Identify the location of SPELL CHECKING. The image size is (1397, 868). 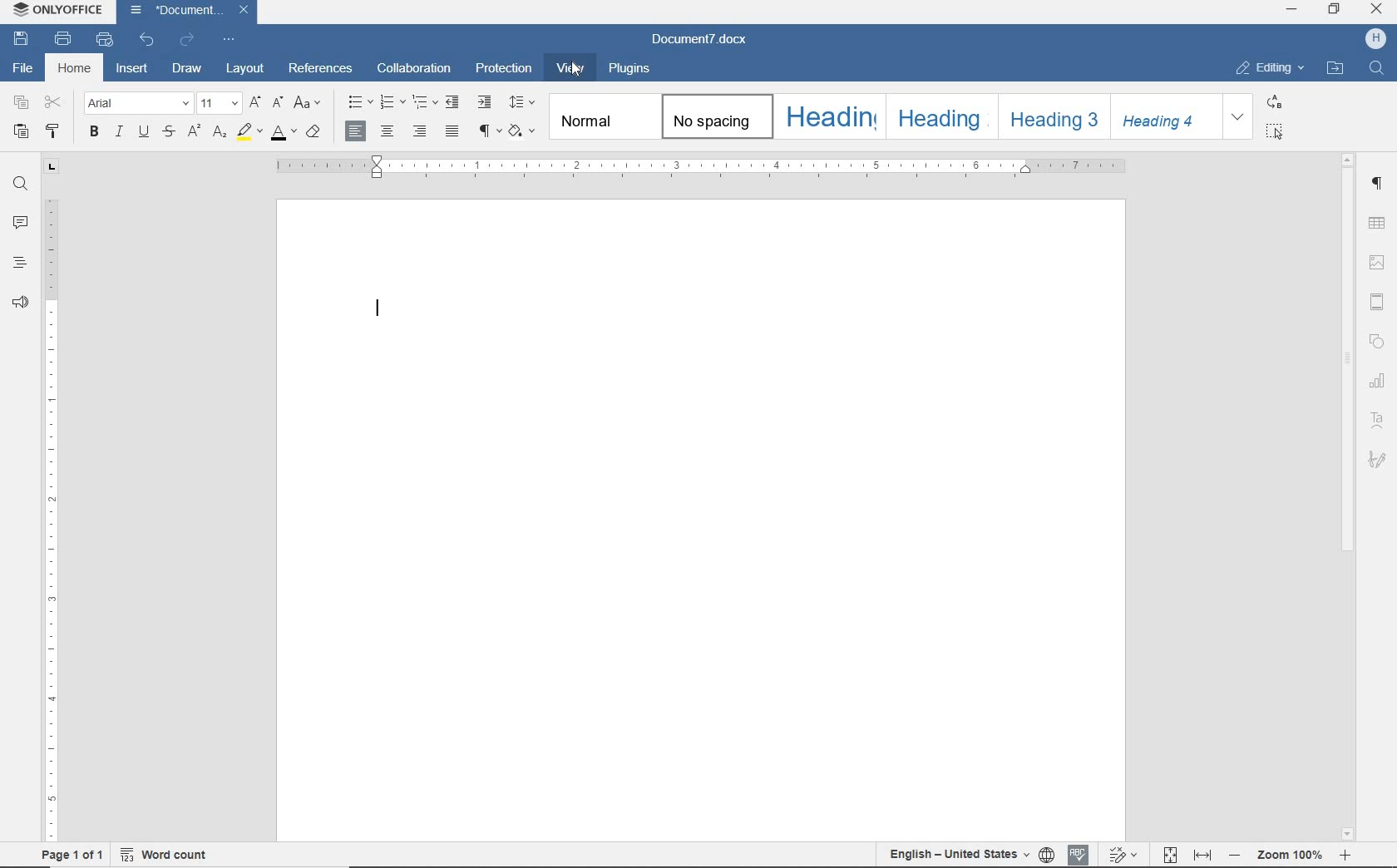
(1079, 854).